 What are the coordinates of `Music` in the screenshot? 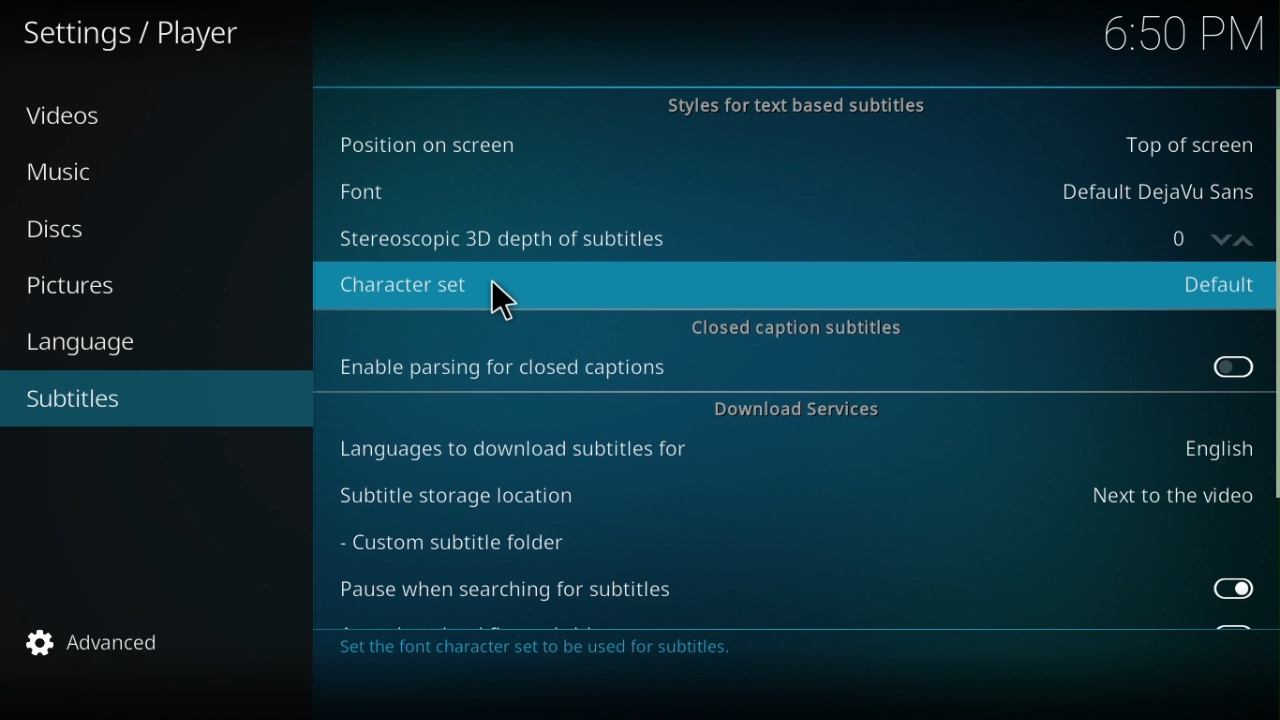 It's located at (67, 178).